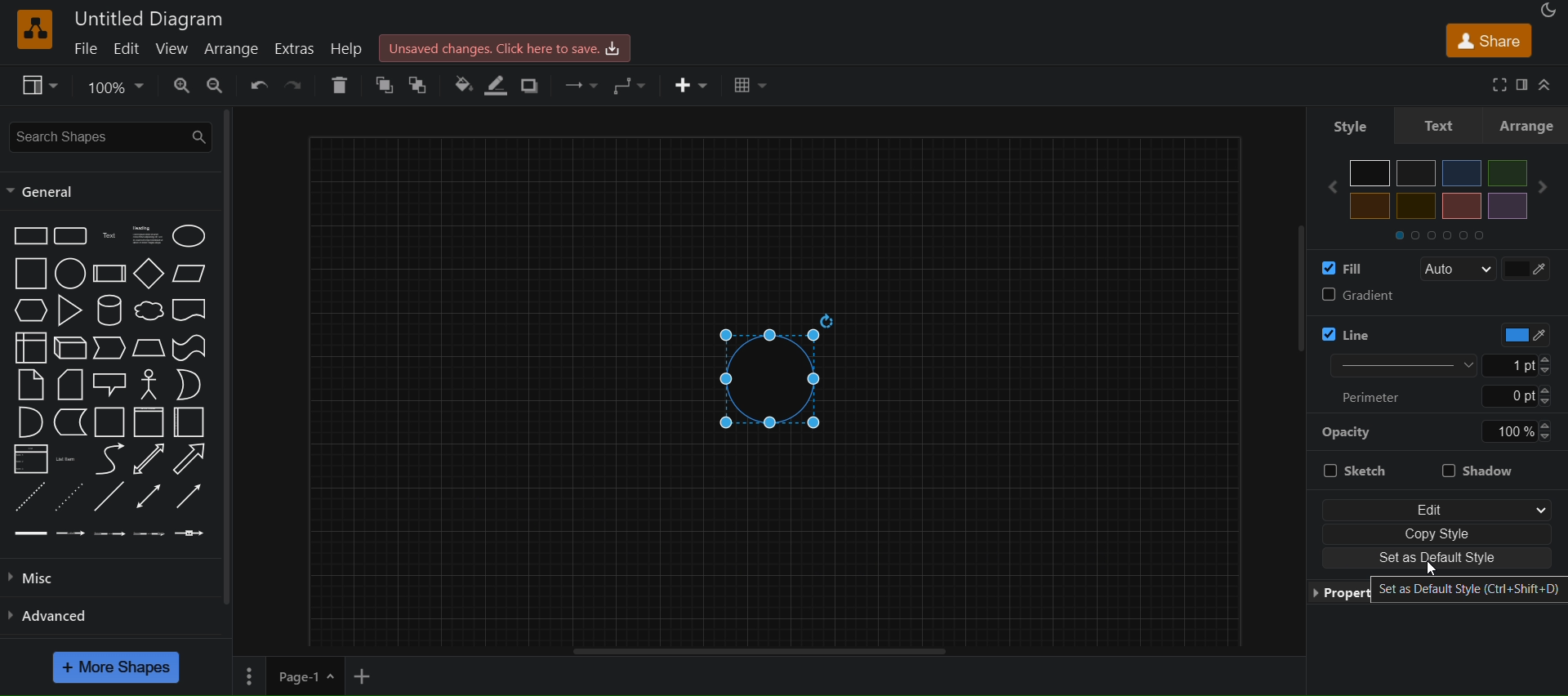 The height and width of the screenshot is (696, 1568). What do you see at coordinates (128, 49) in the screenshot?
I see `edit` at bounding box center [128, 49].